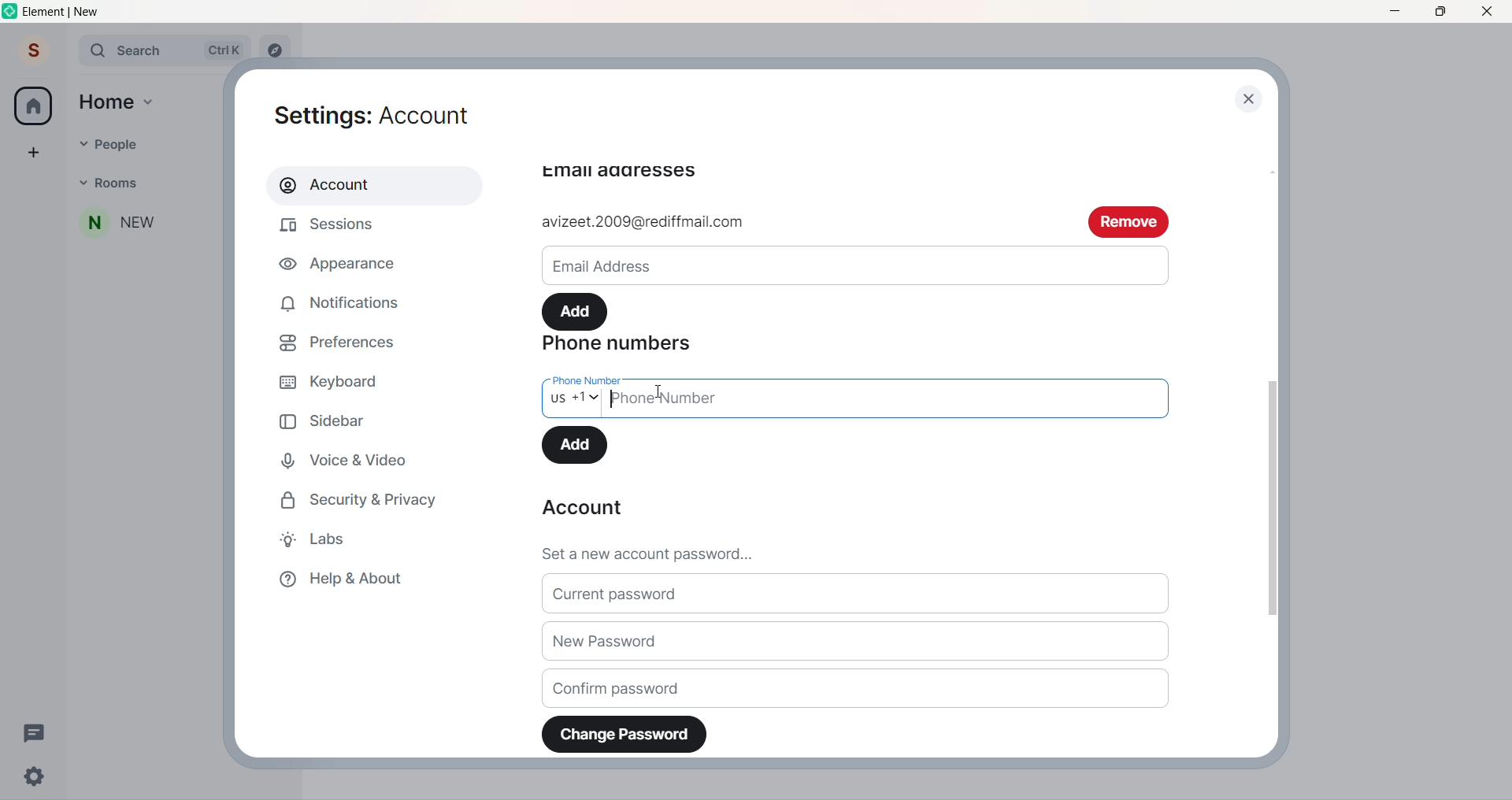 The image size is (1512, 800). What do you see at coordinates (276, 51) in the screenshot?
I see `Explore rooms` at bounding box center [276, 51].